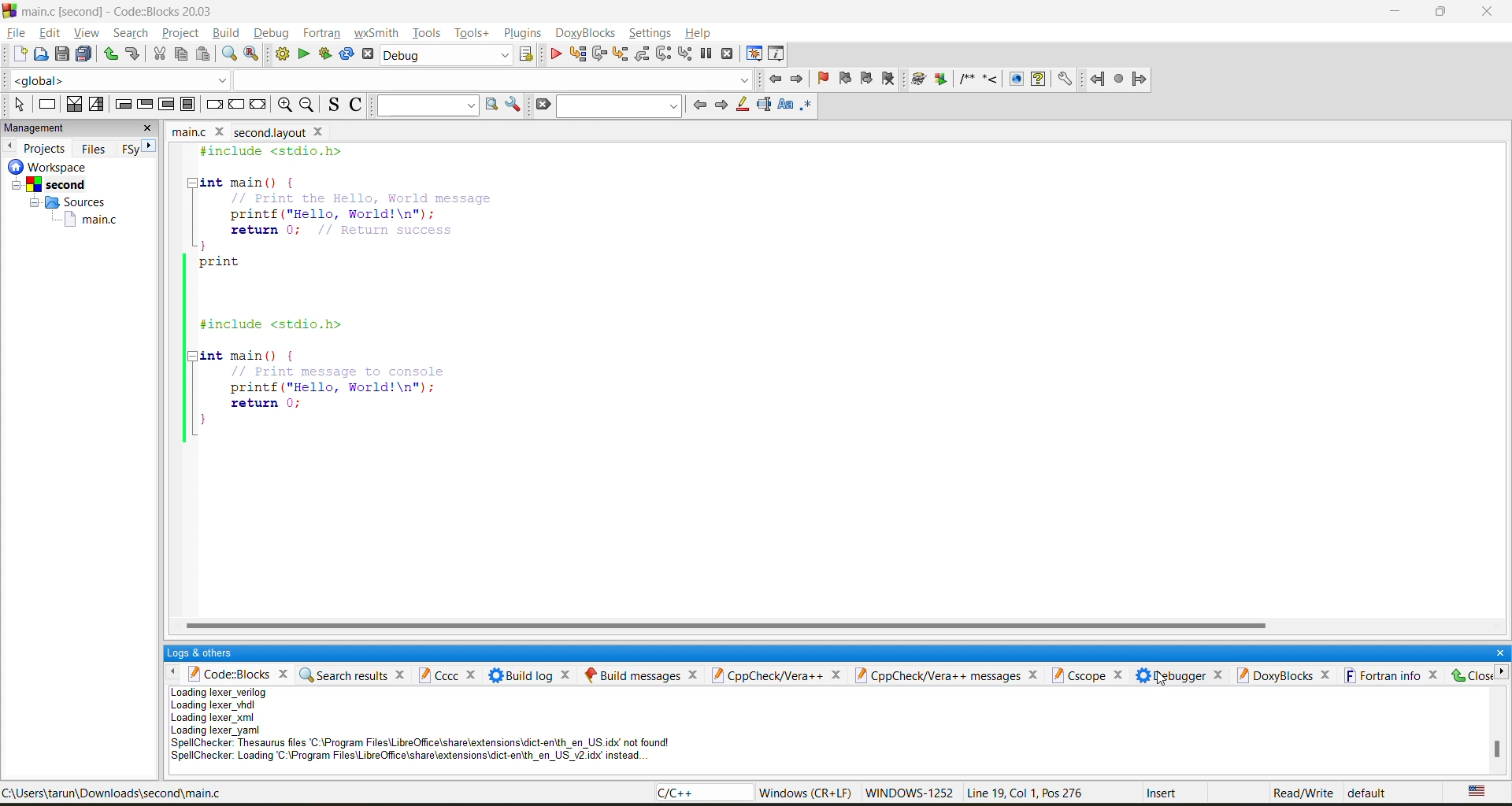 This screenshot has height=806, width=1512. Describe the element at coordinates (1493, 749) in the screenshot. I see `vertical scroll bar` at that location.